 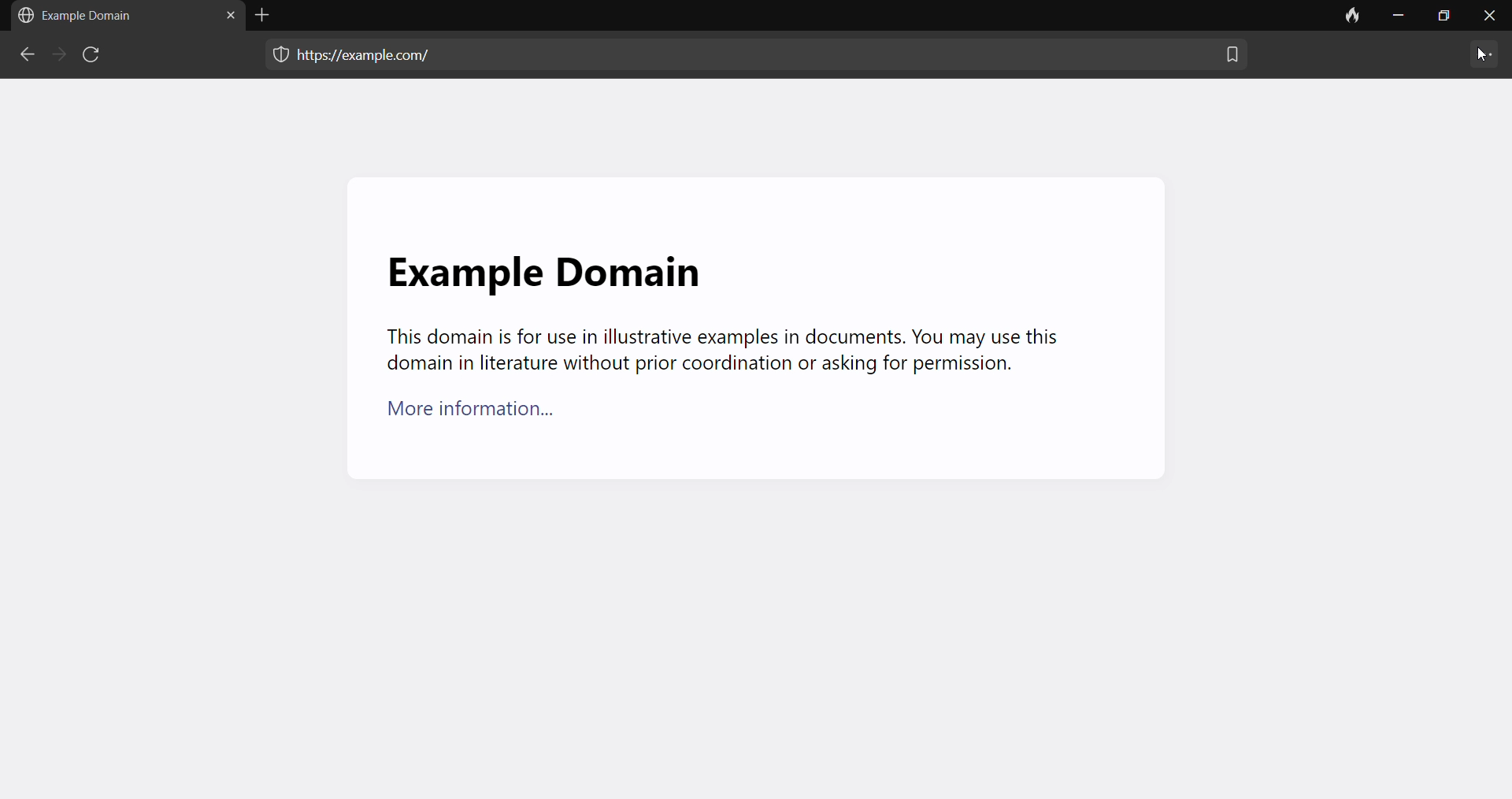 What do you see at coordinates (1484, 56) in the screenshot?
I see `more settings` at bounding box center [1484, 56].